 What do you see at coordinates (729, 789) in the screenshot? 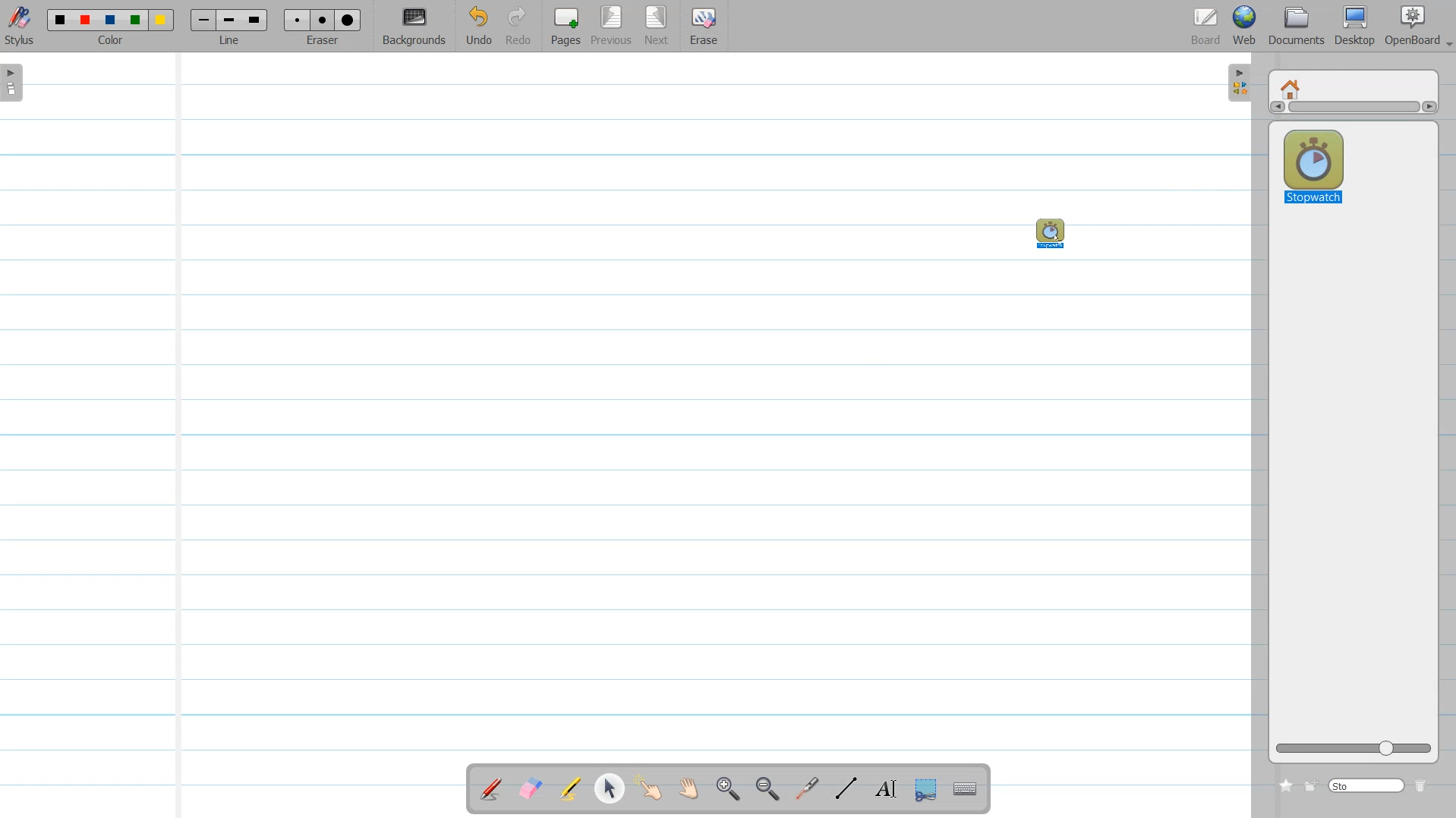
I see `Zoom in` at bounding box center [729, 789].